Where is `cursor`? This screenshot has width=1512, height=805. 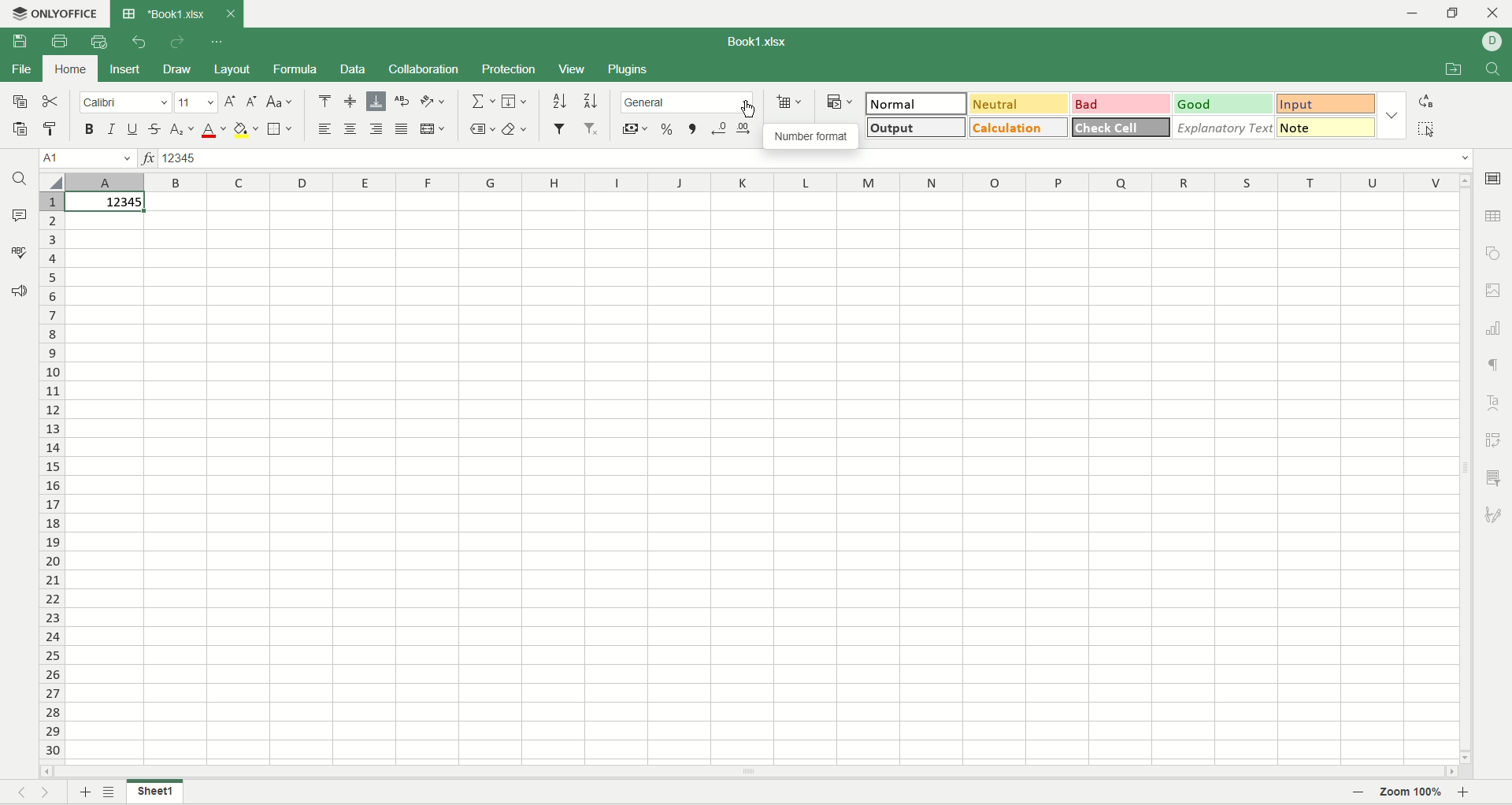 cursor is located at coordinates (752, 112).